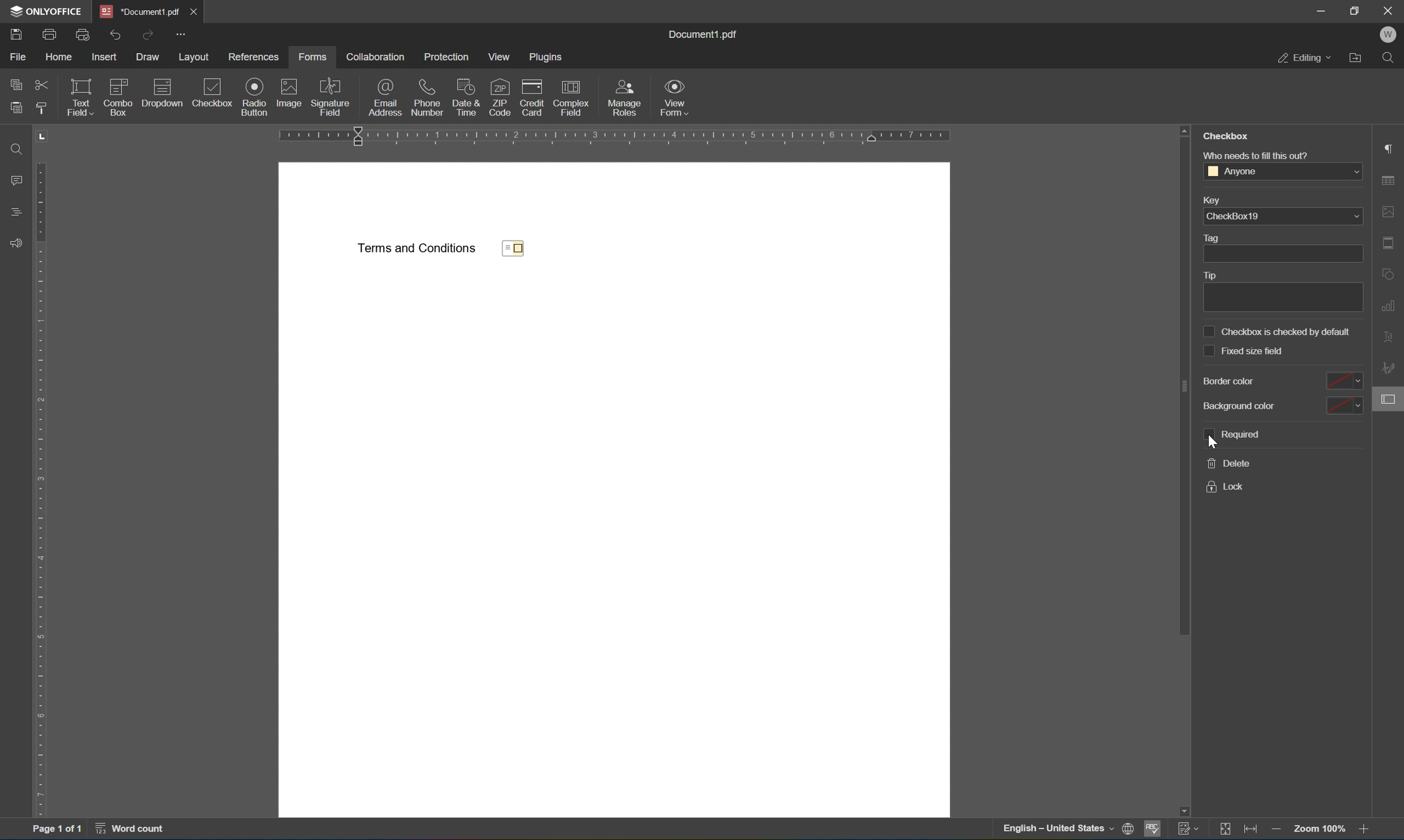 This screenshot has width=1404, height=840. What do you see at coordinates (1279, 248) in the screenshot?
I see `tag` at bounding box center [1279, 248].